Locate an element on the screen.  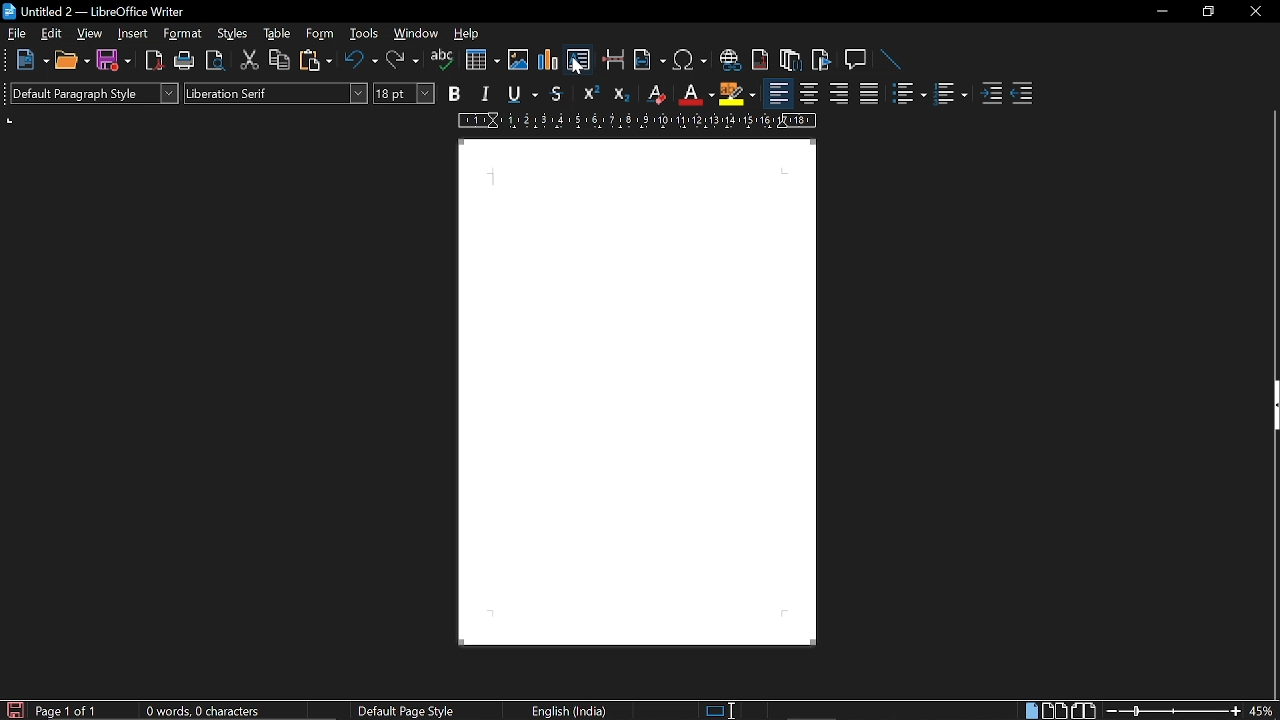
subscript is located at coordinates (622, 94).